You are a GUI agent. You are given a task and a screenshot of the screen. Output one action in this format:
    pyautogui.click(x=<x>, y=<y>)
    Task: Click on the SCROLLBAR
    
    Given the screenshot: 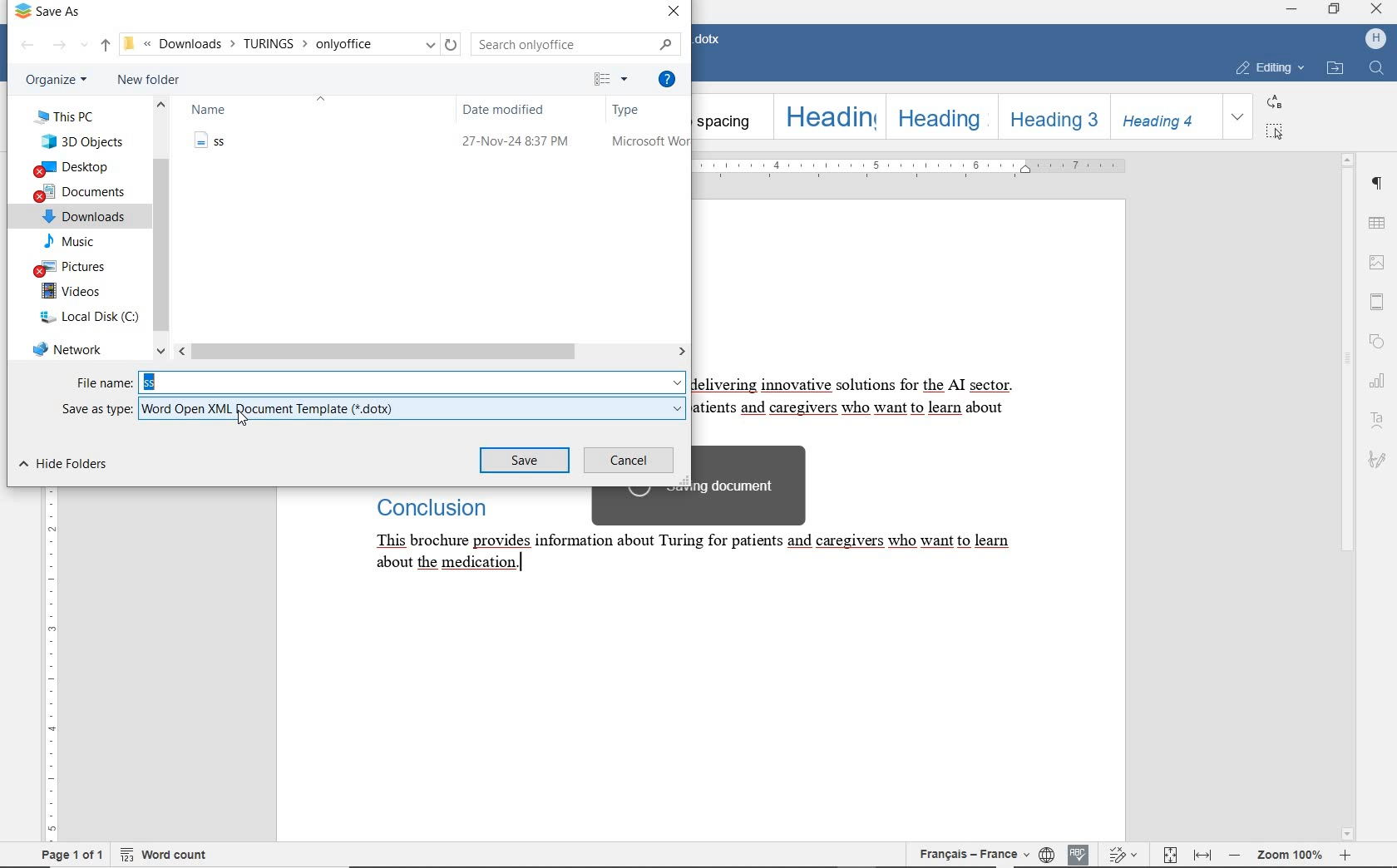 What is the action you would take?
    pyautogui.click(x=431, y=352)
    